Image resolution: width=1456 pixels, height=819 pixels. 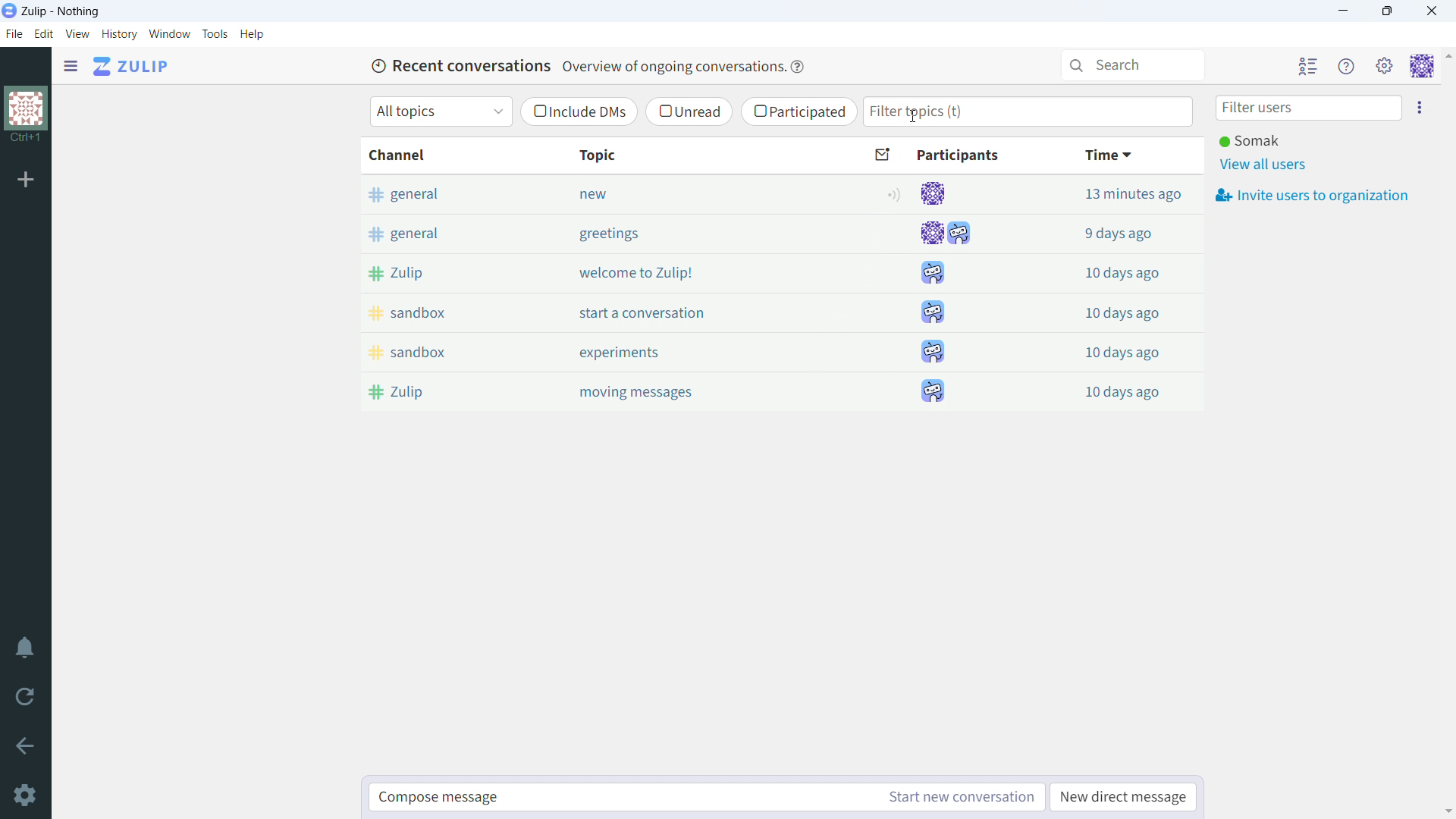 I want to click on edit, so click(x=45, y=34).